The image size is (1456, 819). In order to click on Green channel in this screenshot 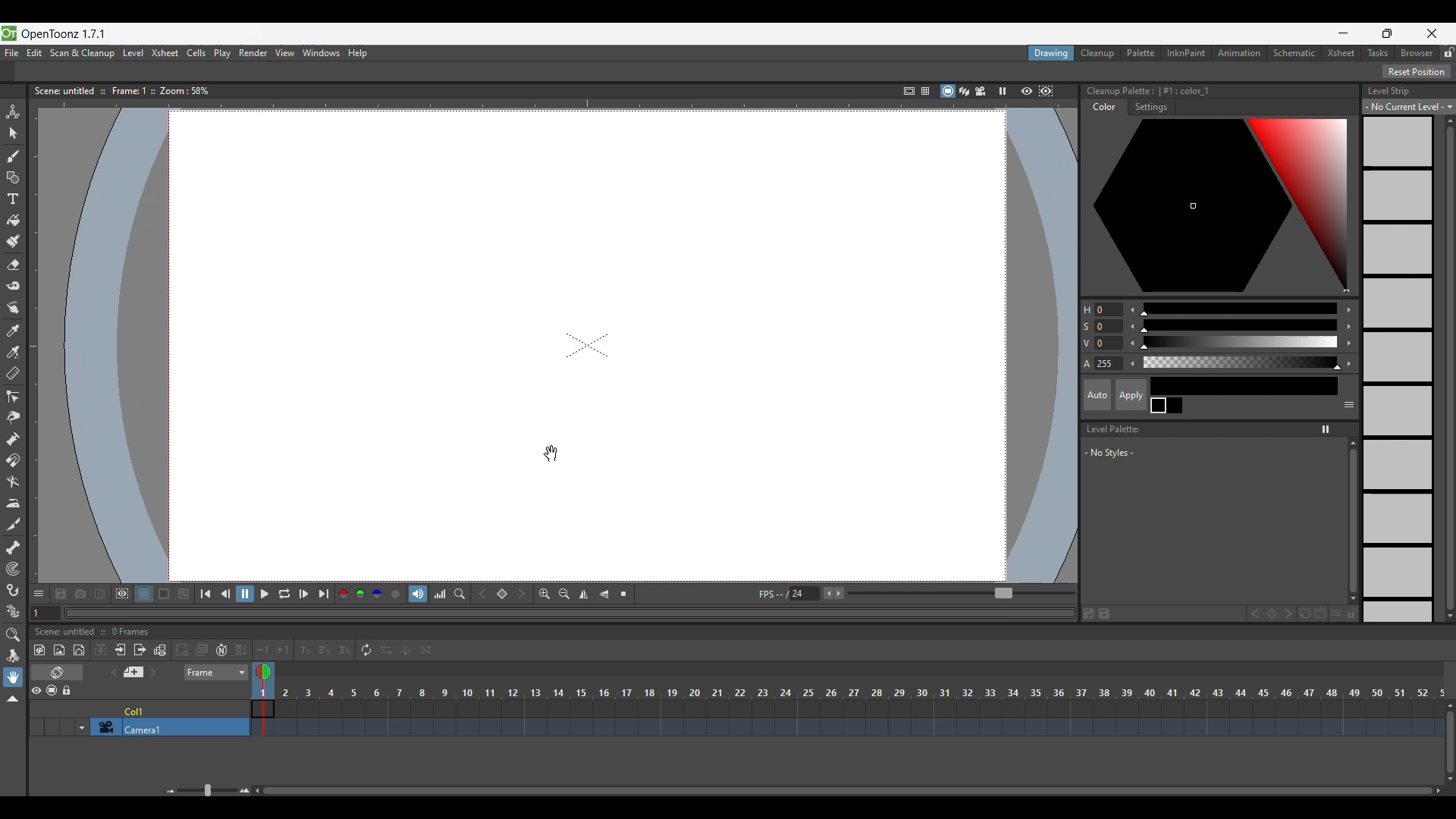, I will do `click(360, 591)`.